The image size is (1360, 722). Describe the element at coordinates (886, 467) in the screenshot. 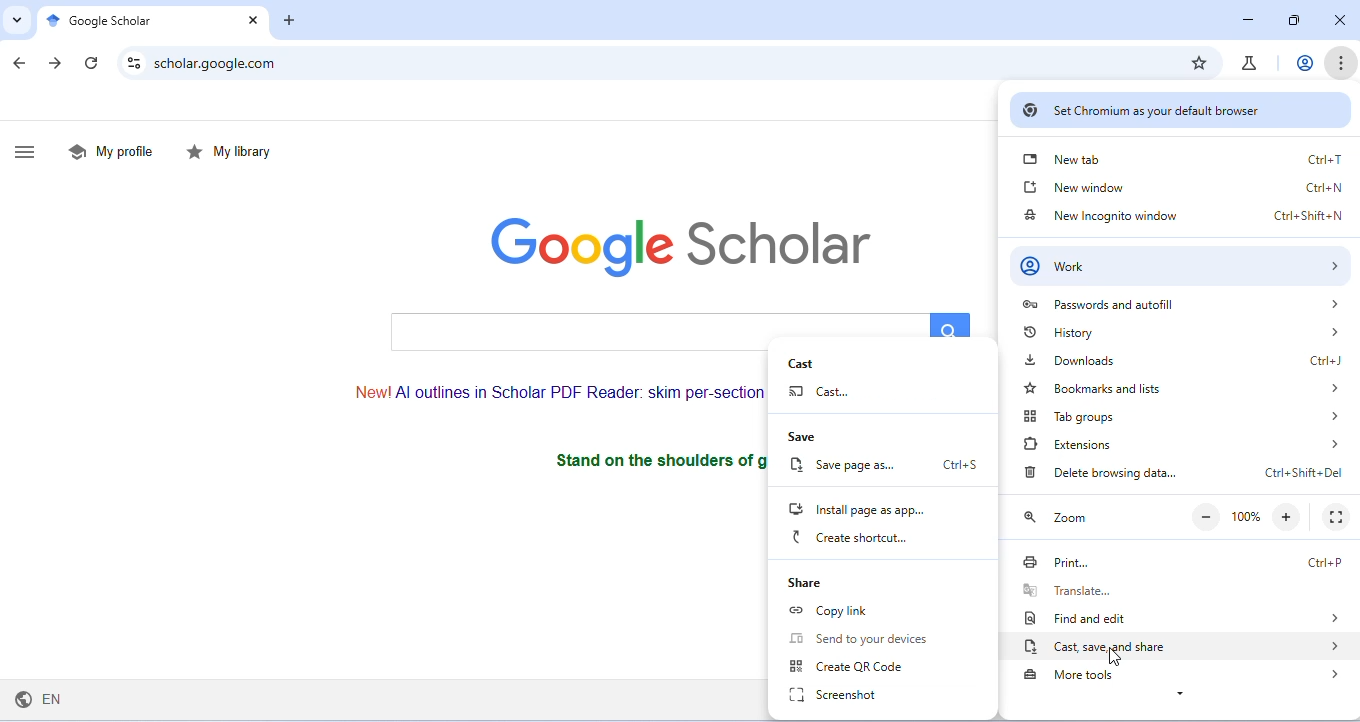

I see `save page as` at that location.